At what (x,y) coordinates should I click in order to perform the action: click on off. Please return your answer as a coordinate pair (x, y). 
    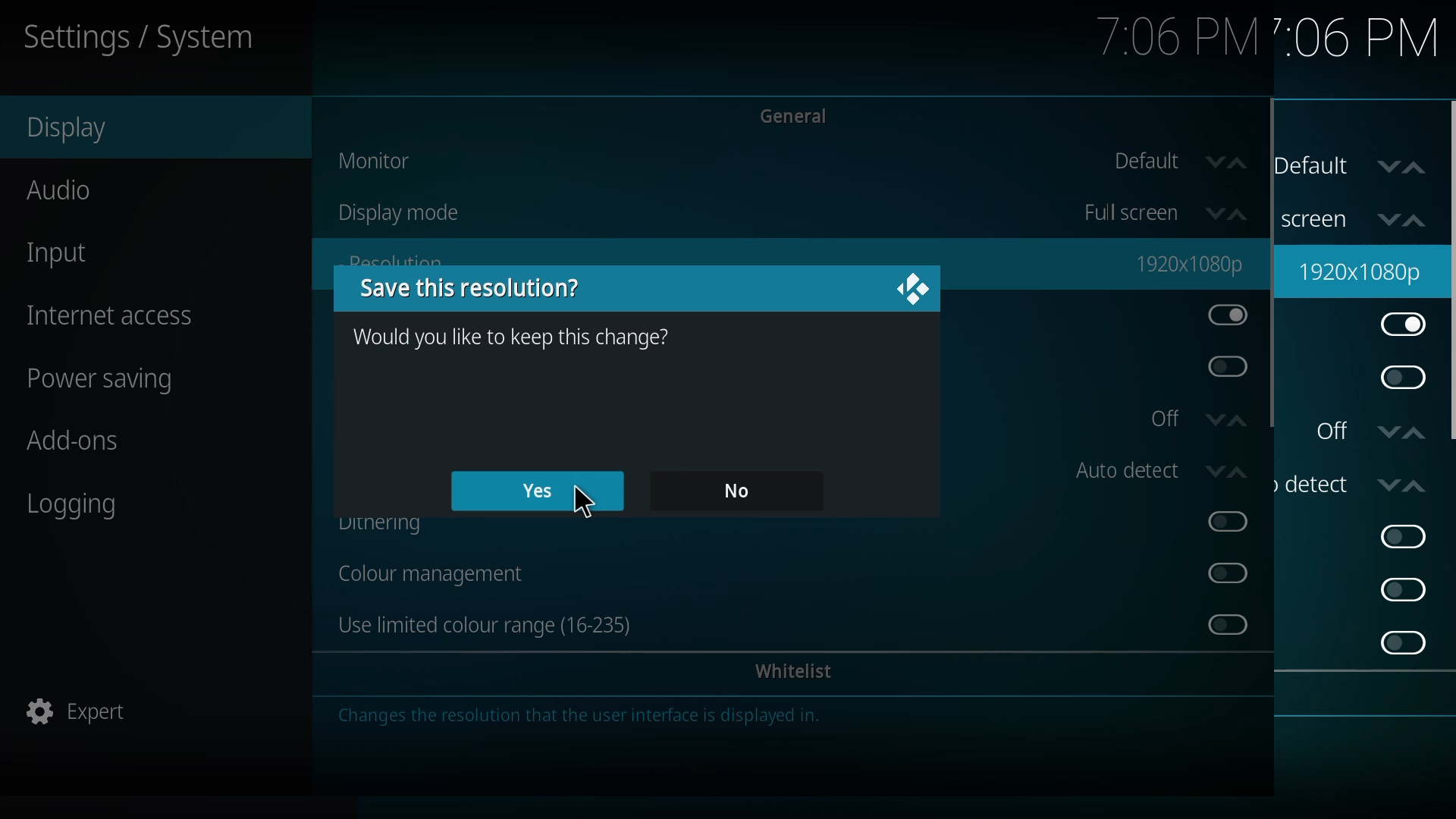
    Looking at the image, I should click on (1198, 428).